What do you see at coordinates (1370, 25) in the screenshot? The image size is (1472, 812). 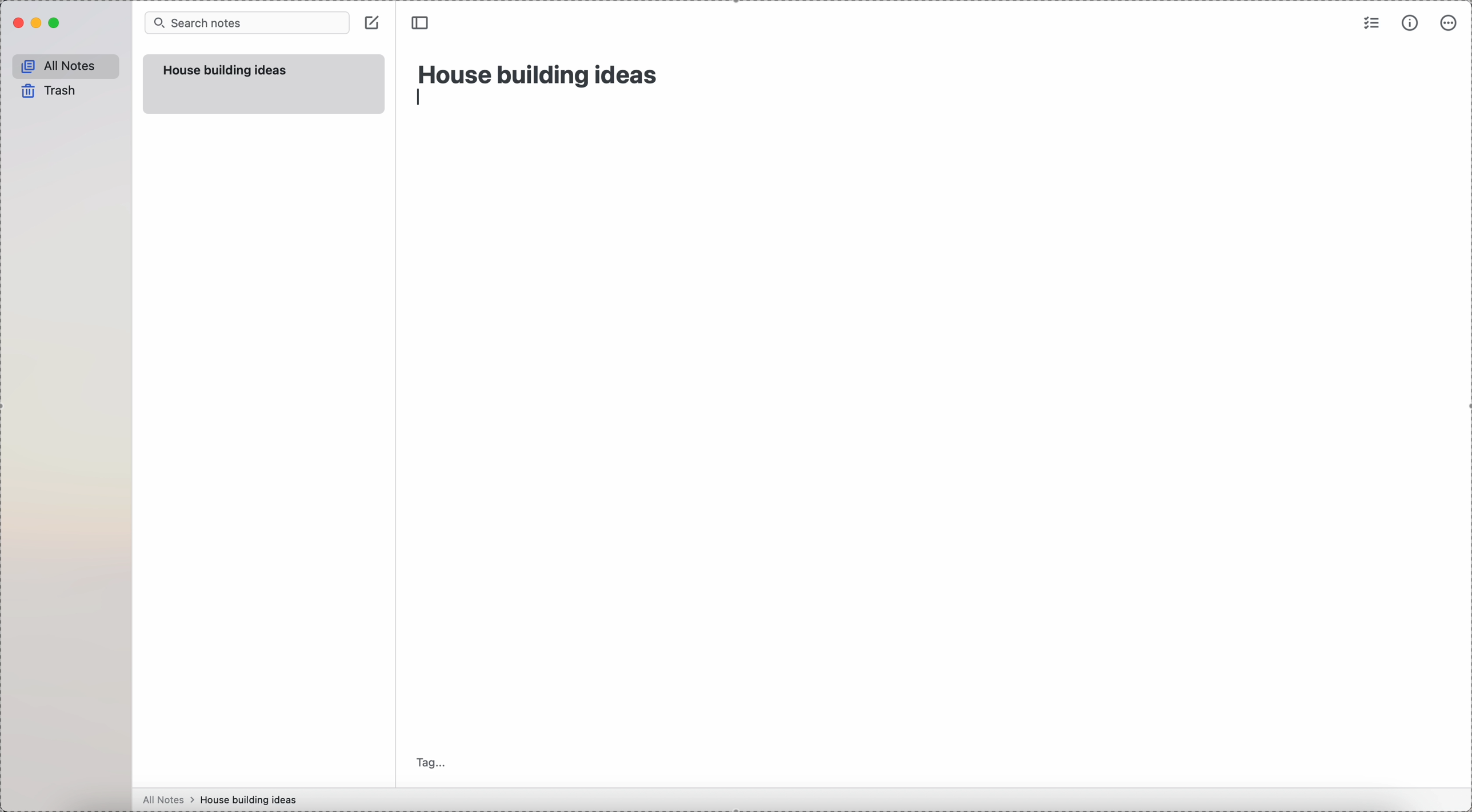 I see `check list` at bounding box center [1370, 25].